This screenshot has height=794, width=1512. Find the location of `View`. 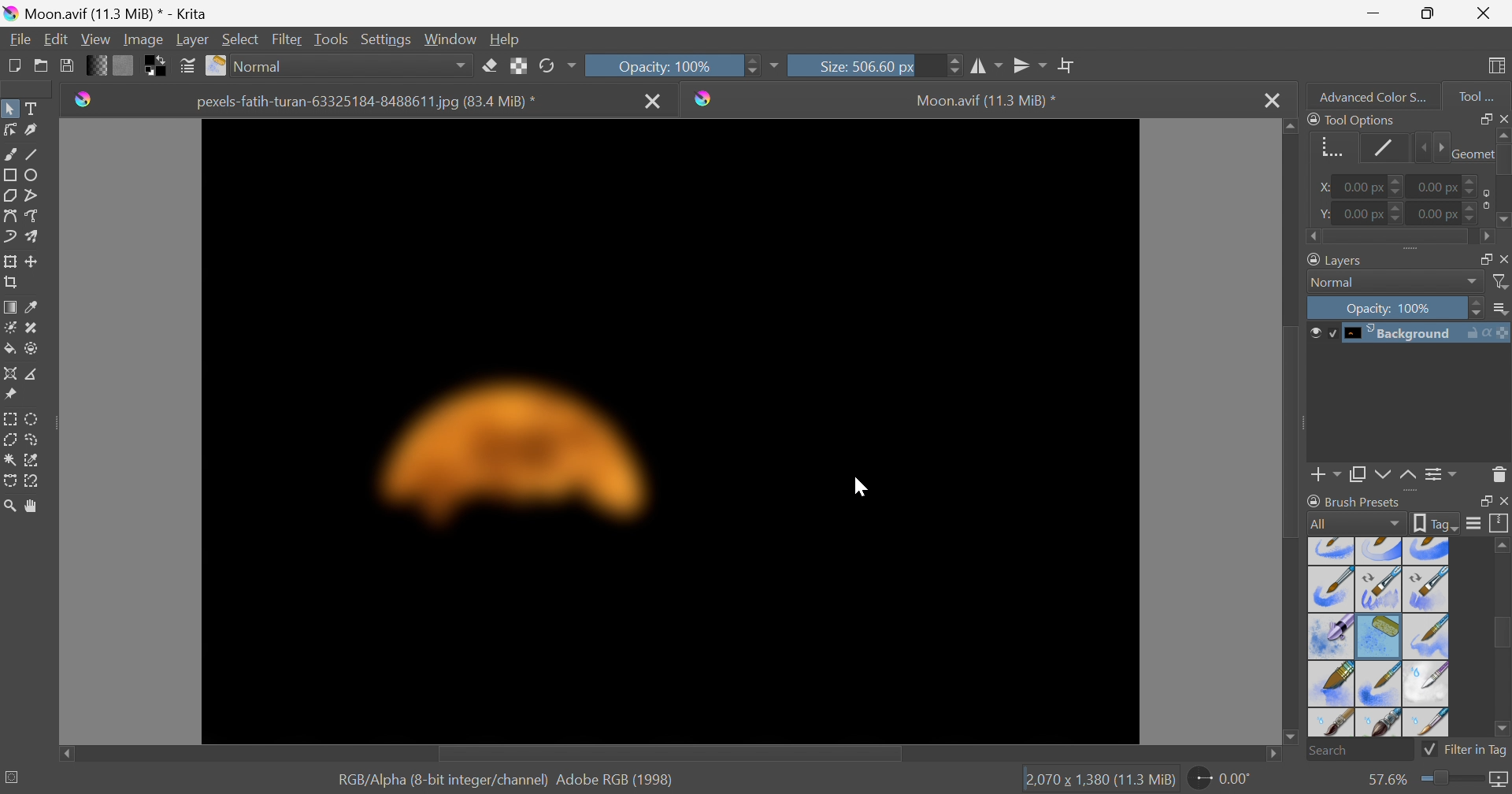

View is located at coordinates (95, 40).